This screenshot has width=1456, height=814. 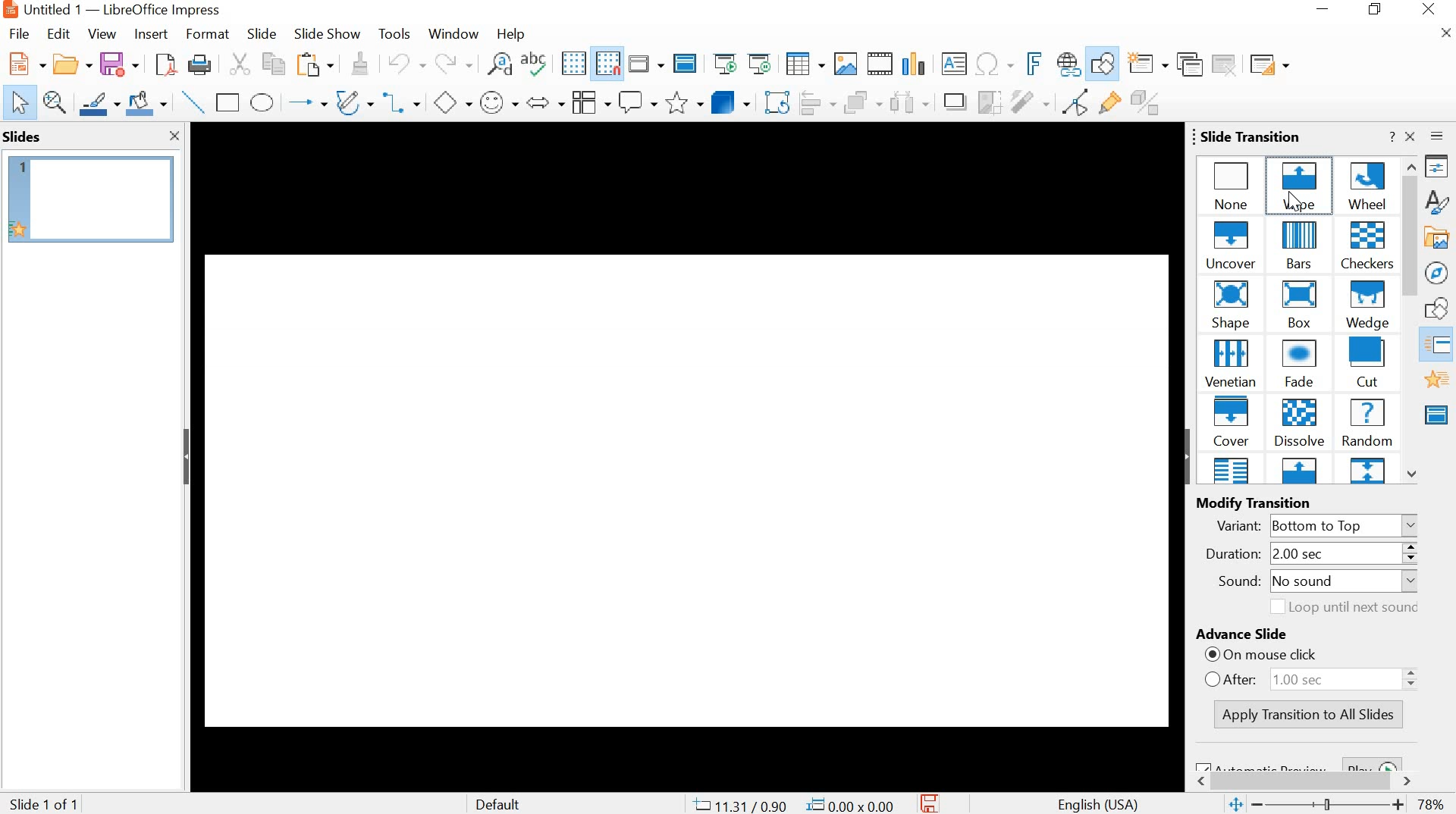 I want to click on Insert Image, so click(x=846, y=64).